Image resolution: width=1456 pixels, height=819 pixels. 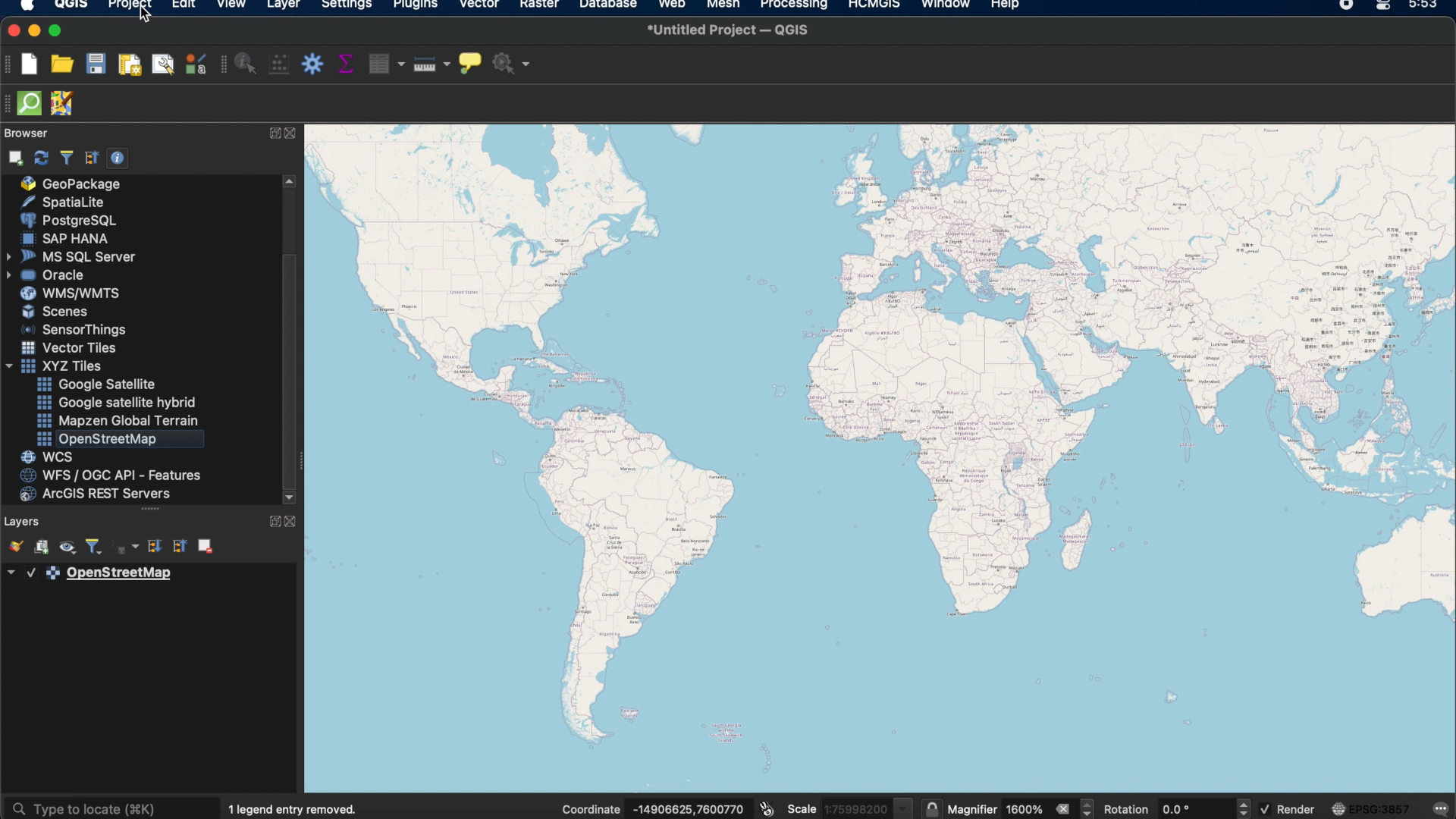 I want to click on close, so click(x=295, y=133).